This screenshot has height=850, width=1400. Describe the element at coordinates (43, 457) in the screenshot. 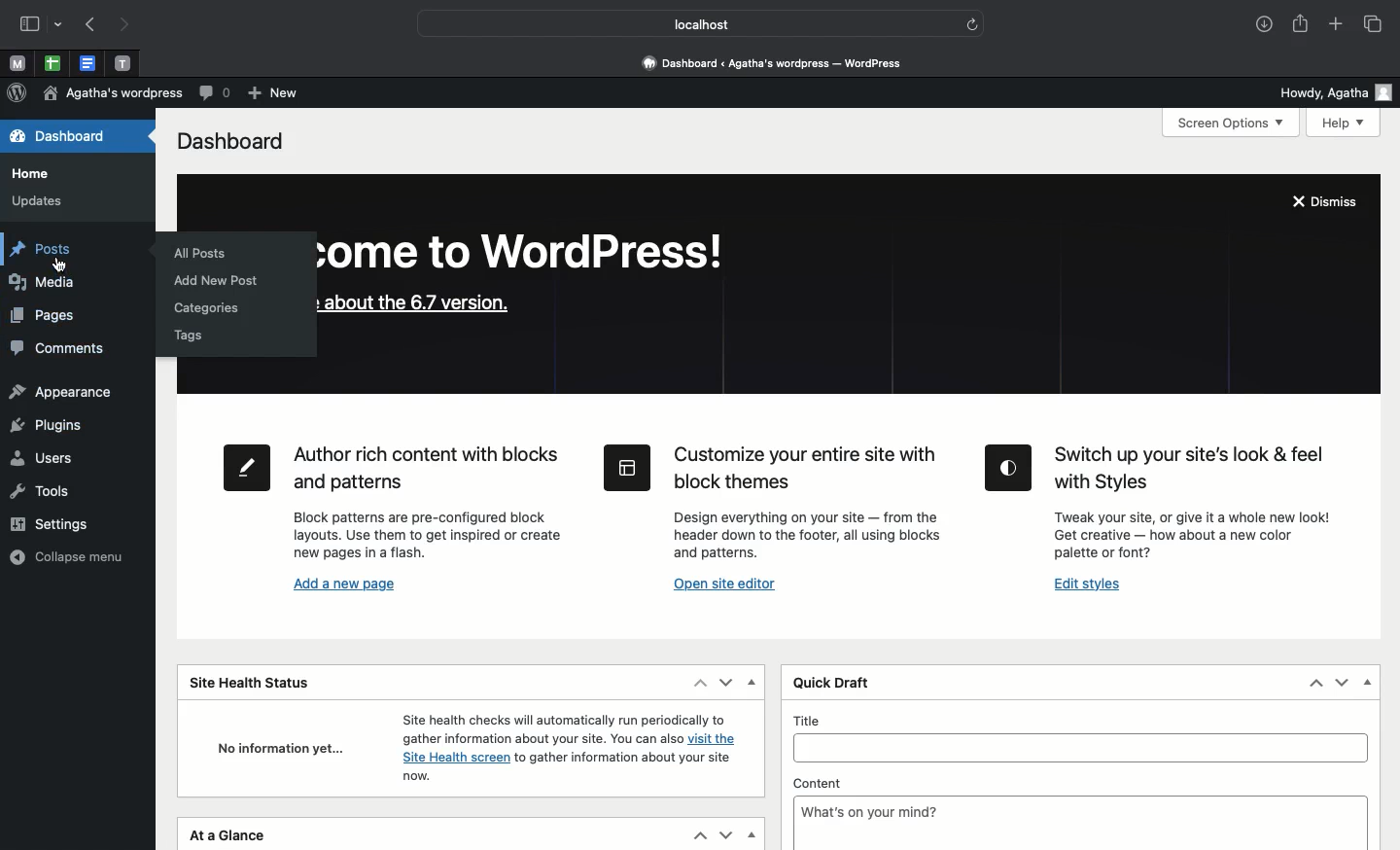

I see `Users` at that location.